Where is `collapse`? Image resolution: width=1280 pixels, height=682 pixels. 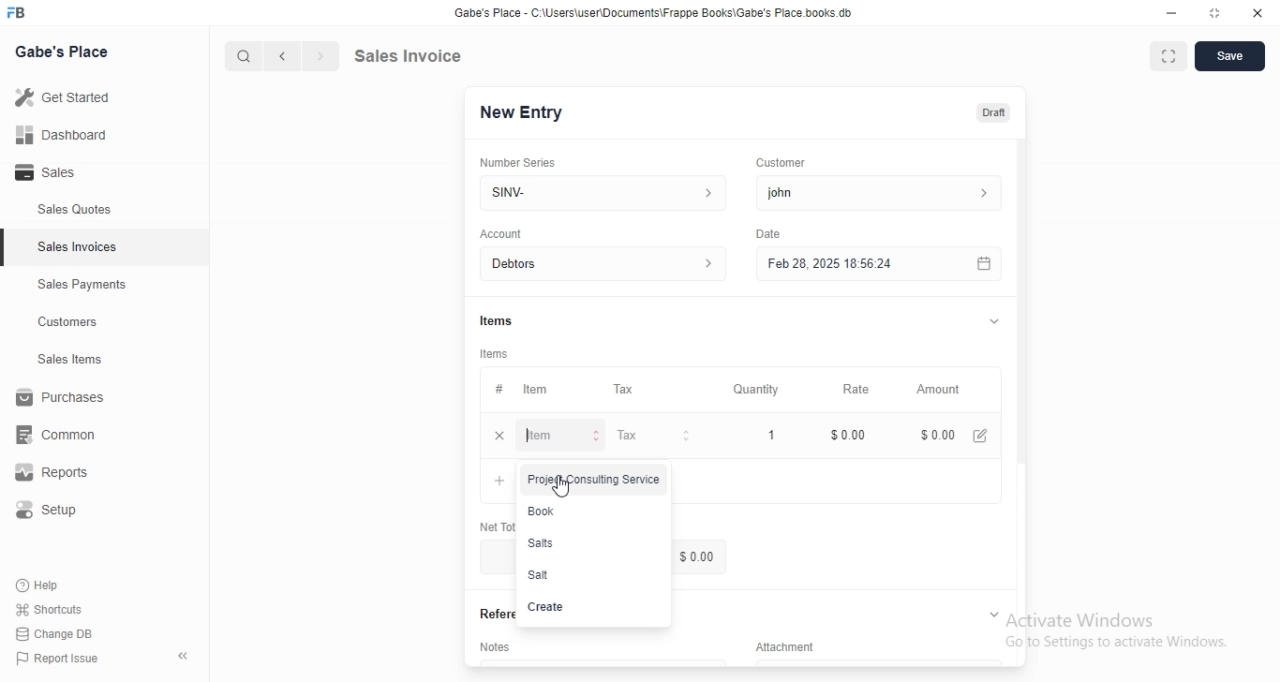 collapse is located at coordinates (992, 613).